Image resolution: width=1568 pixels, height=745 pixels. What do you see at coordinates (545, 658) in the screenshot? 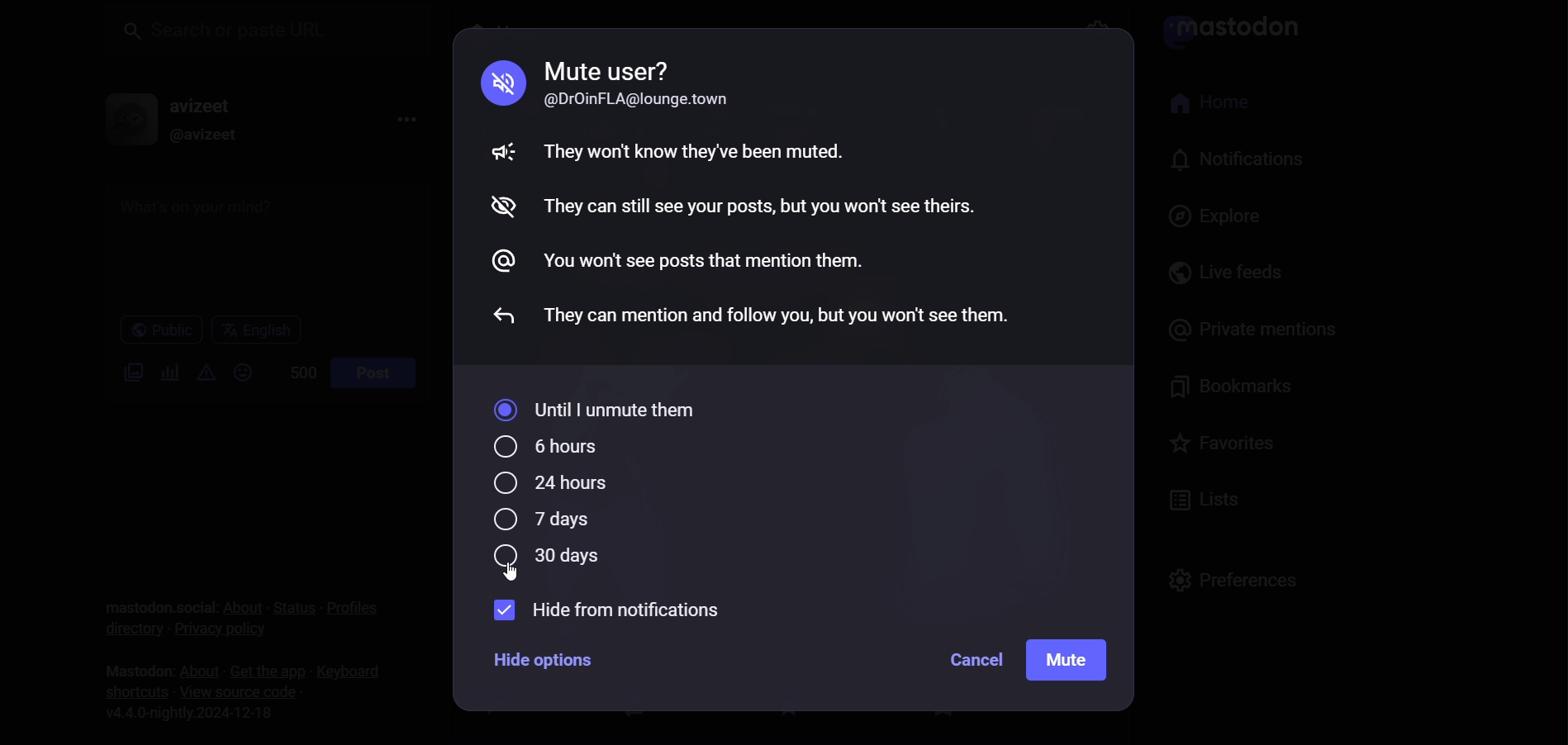
I see `hide options` at bounding box center [545, 658].